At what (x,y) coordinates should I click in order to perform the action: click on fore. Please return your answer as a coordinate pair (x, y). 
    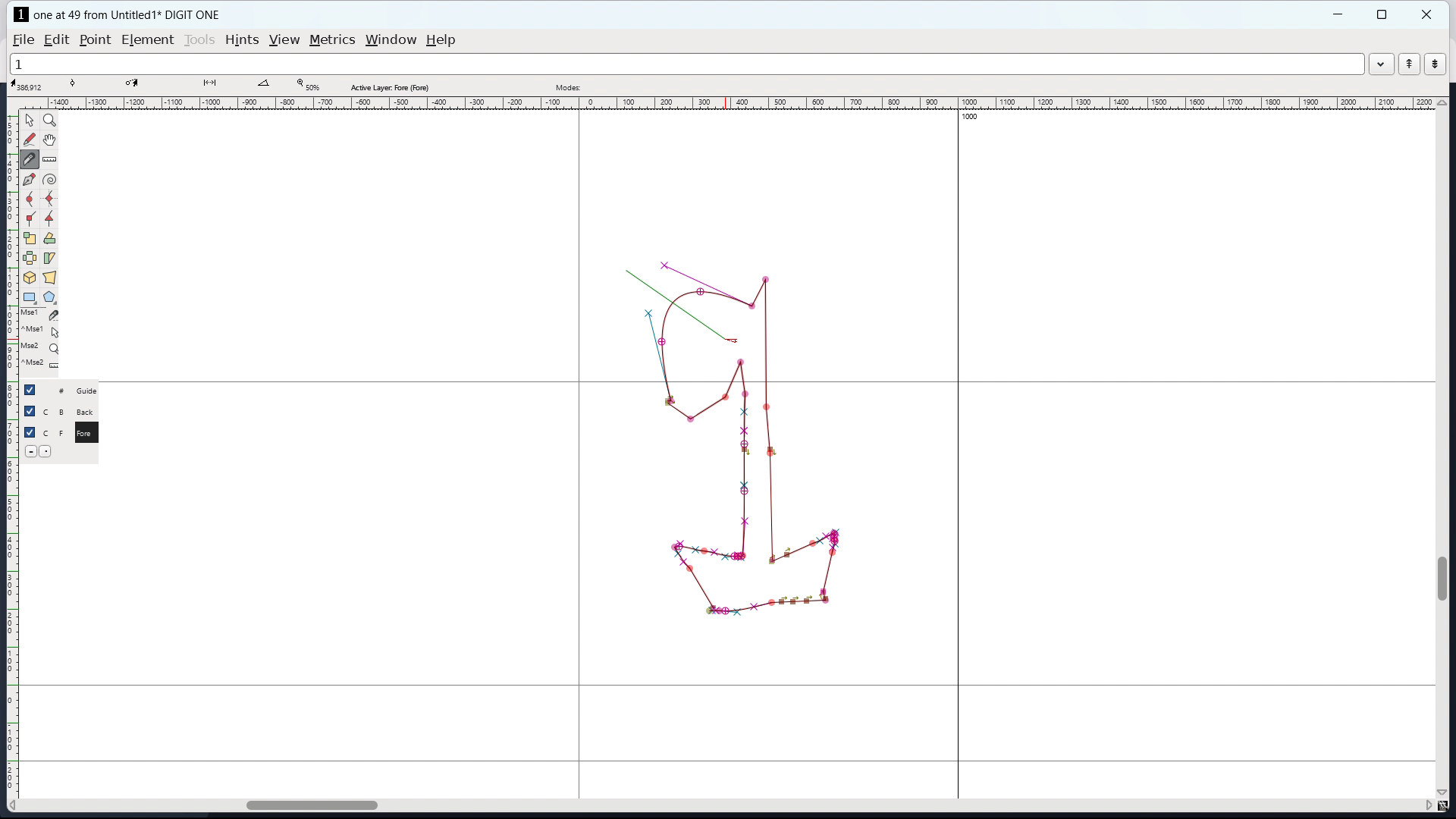
    Looking at the image, I should click on (89, 435).